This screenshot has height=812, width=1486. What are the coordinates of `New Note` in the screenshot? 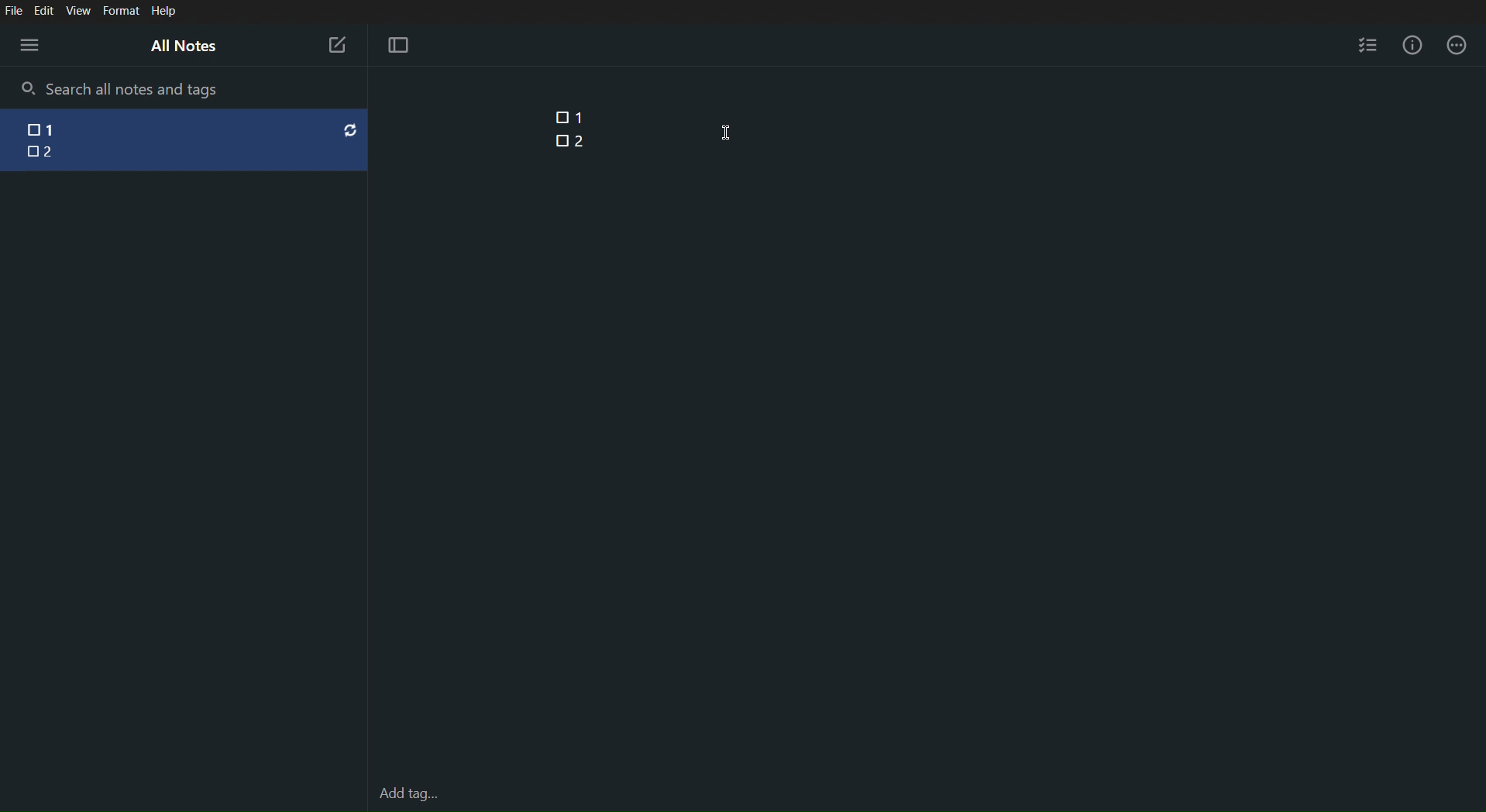 It's located at (336, 45).